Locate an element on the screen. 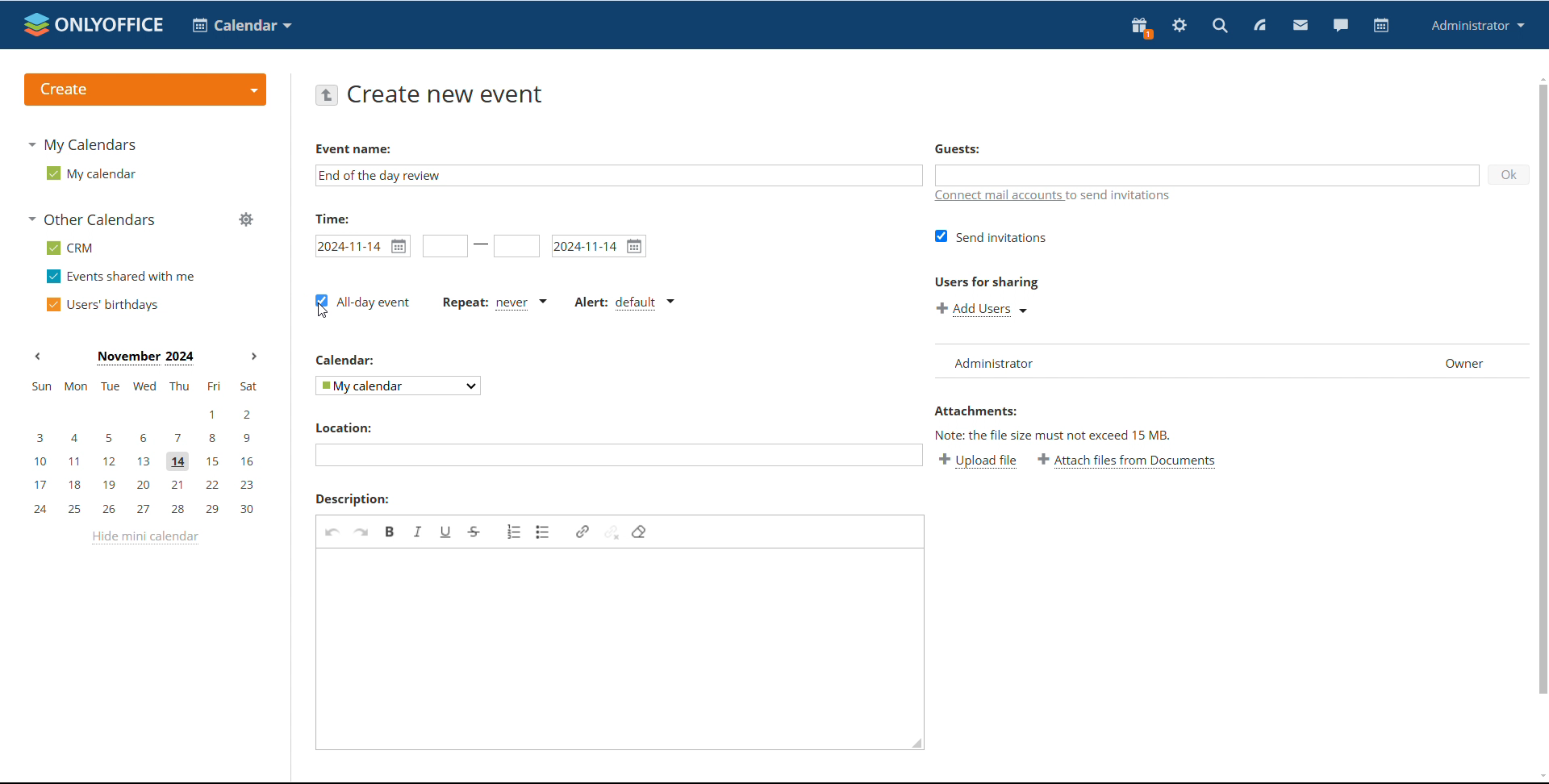 Image resolution: width=1549 pixels, height=784 pixels. set start time is located at coordinates (445, 246).